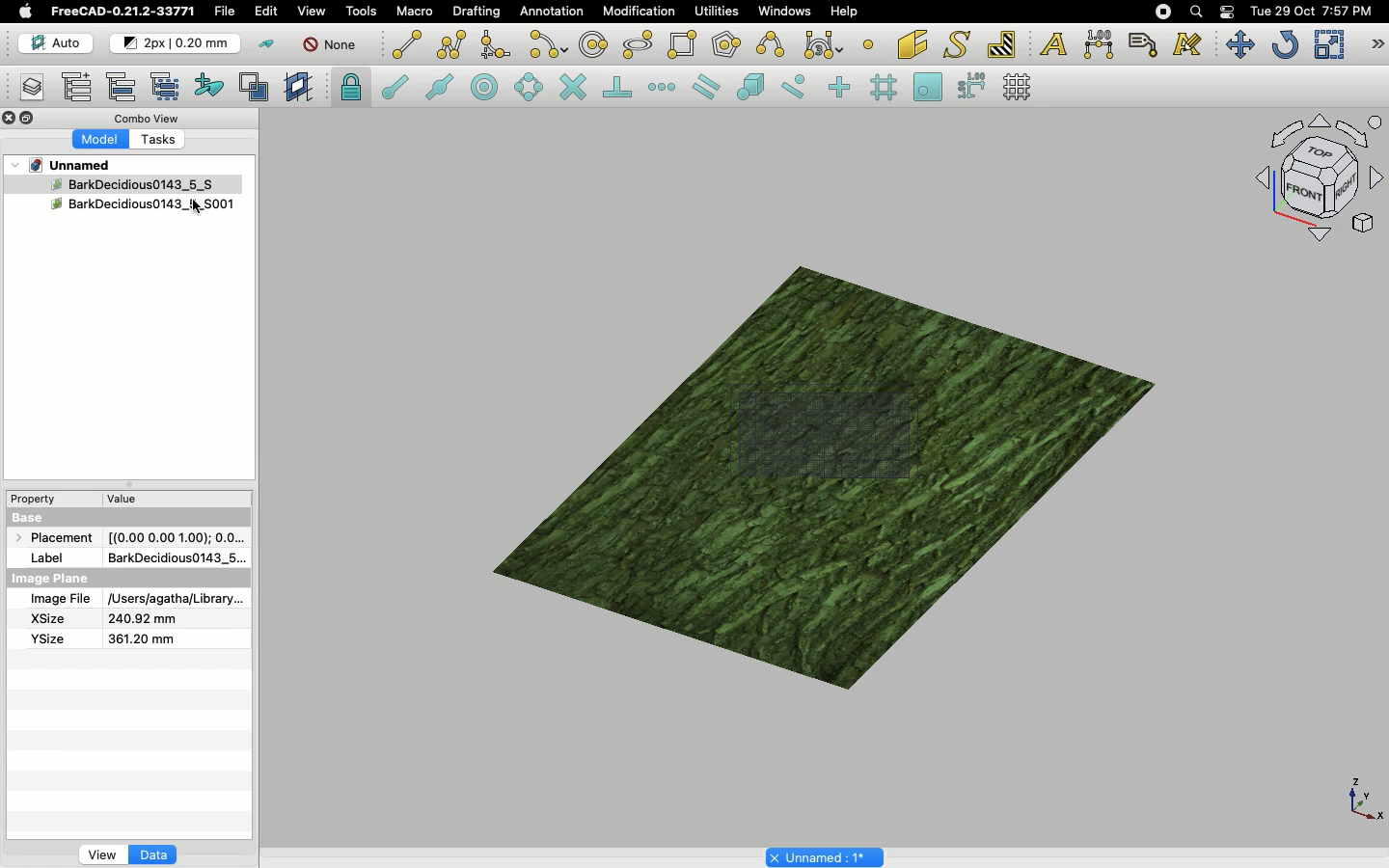  Describe the element at coordinates (639, 45) in the screenshot. I see `polygon` at that location.